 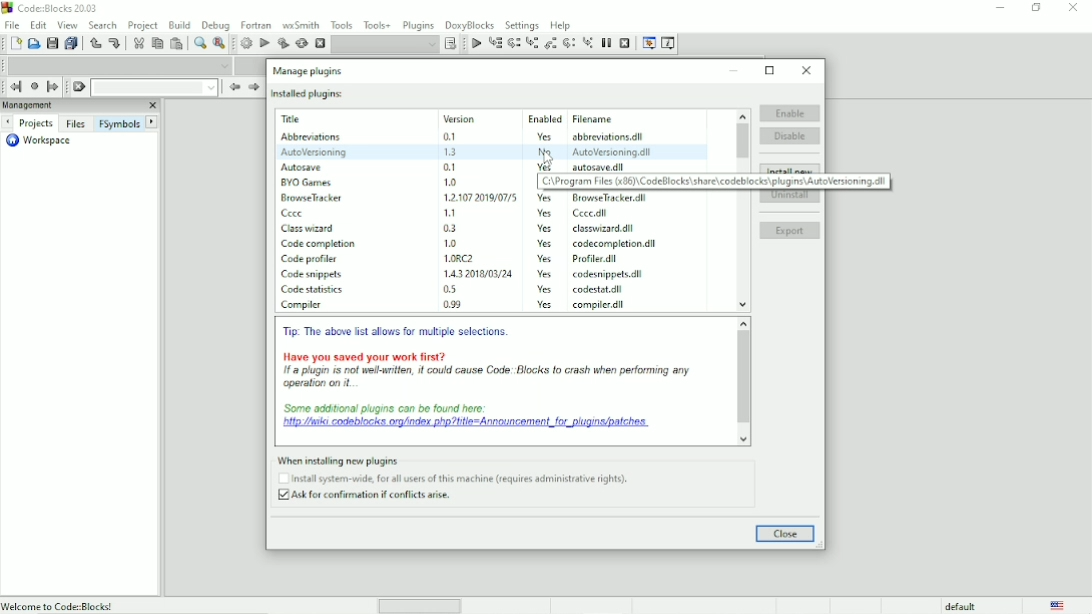 What do you see at coordinates (53, 88) in the screenshot?
I see `Jump forward` at bounding box center [53, 88].